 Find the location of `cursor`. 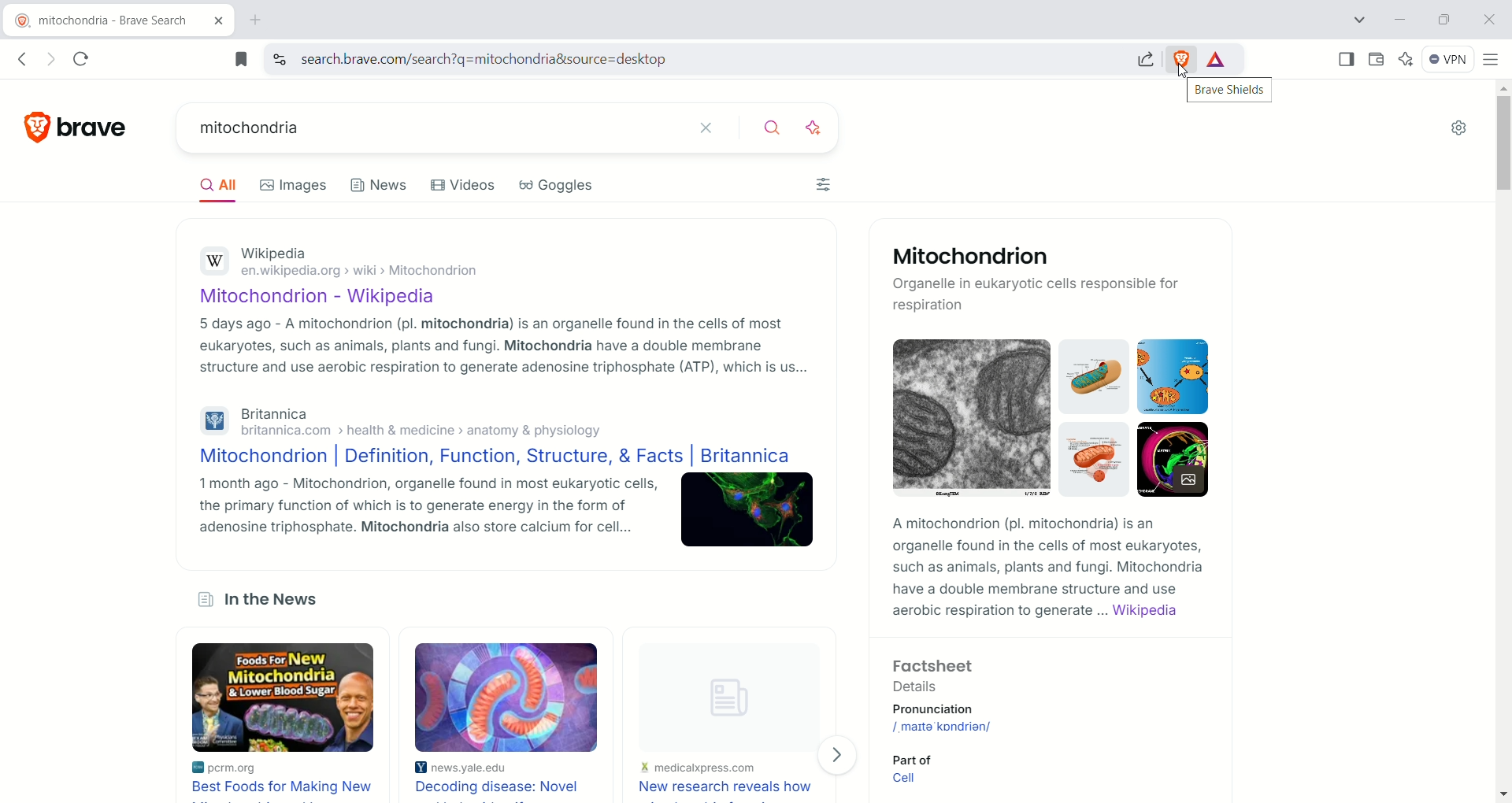

cursor is located at coordinates (1184, 72).